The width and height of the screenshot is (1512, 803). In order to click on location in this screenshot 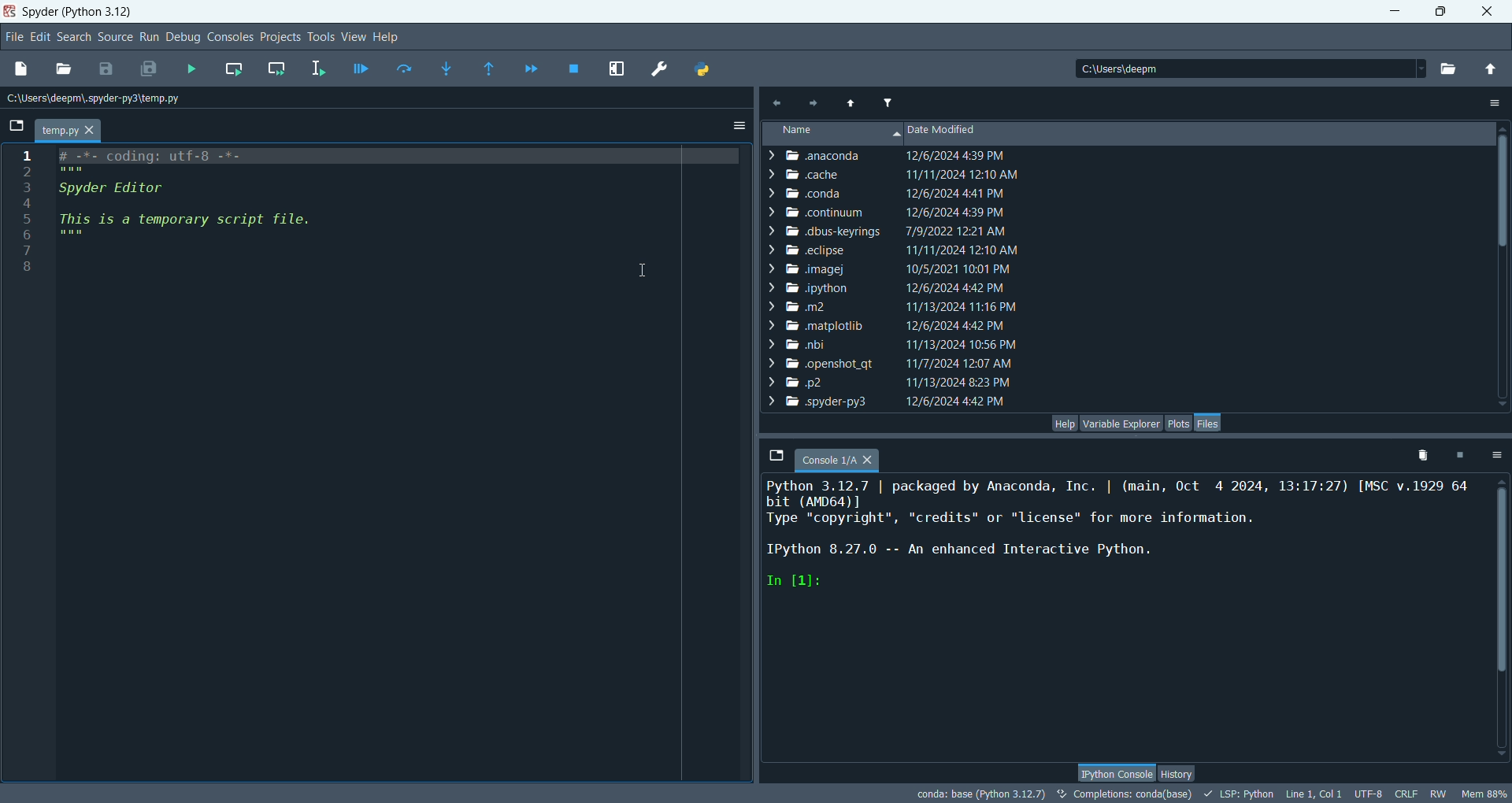, I will do `click(1240, 71)`.